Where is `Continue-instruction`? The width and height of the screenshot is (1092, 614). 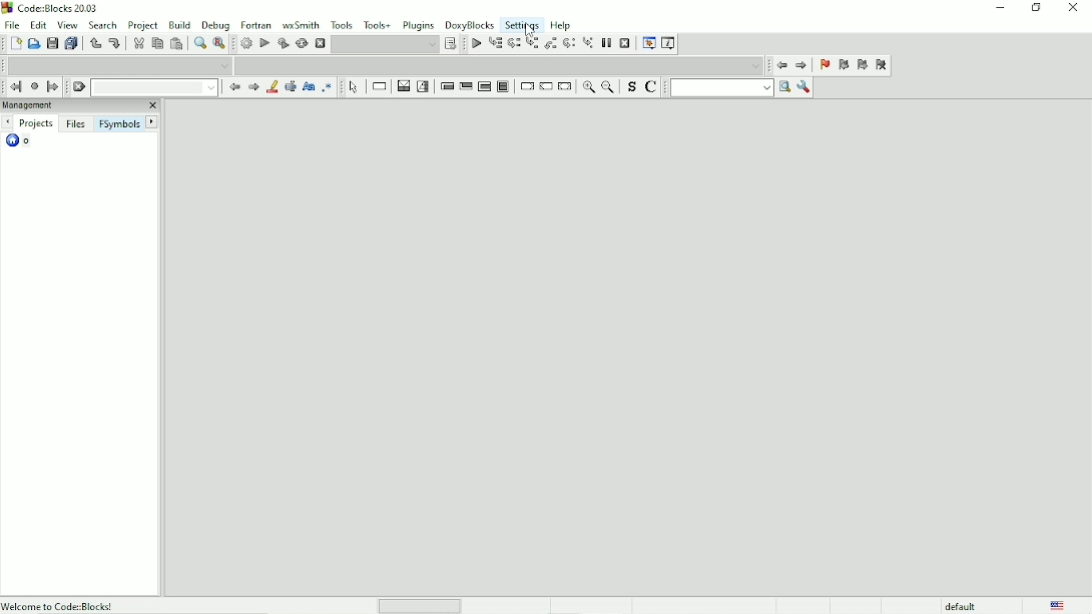
Continue-instruction is located at coordinates (546, 87).